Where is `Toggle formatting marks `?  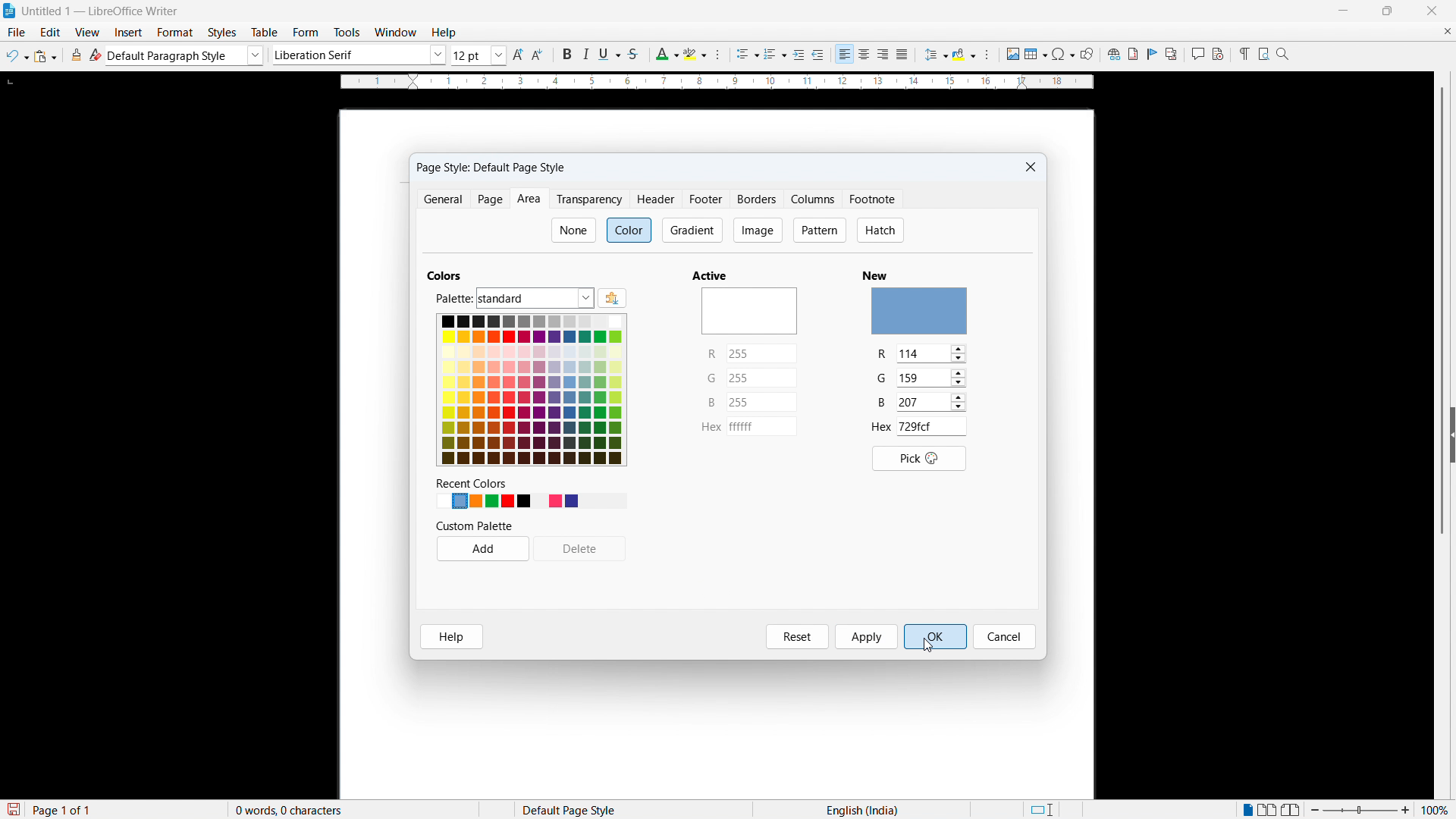
Toggle formatting marks  is located at coordinates (1242, 53).